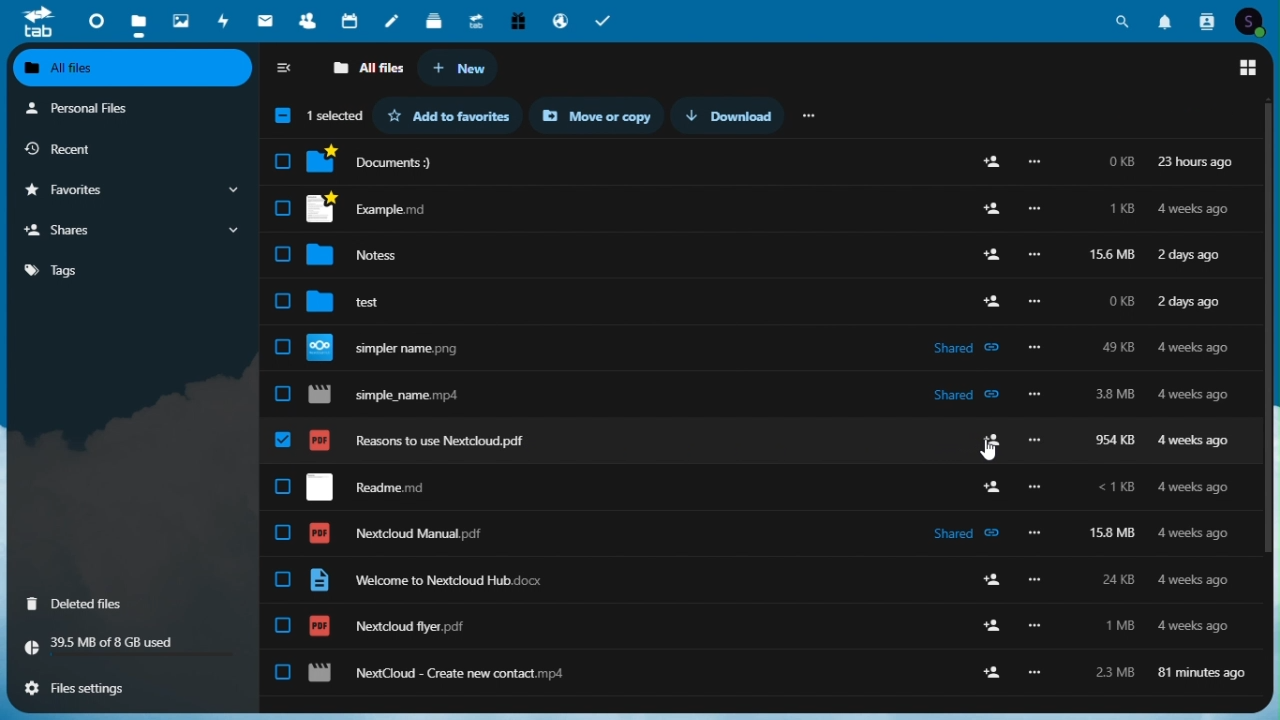  What do you see at coordinates (1115, 533) in the screenshot?
I see `15.8 mb` at bounding box center [1115, 533].